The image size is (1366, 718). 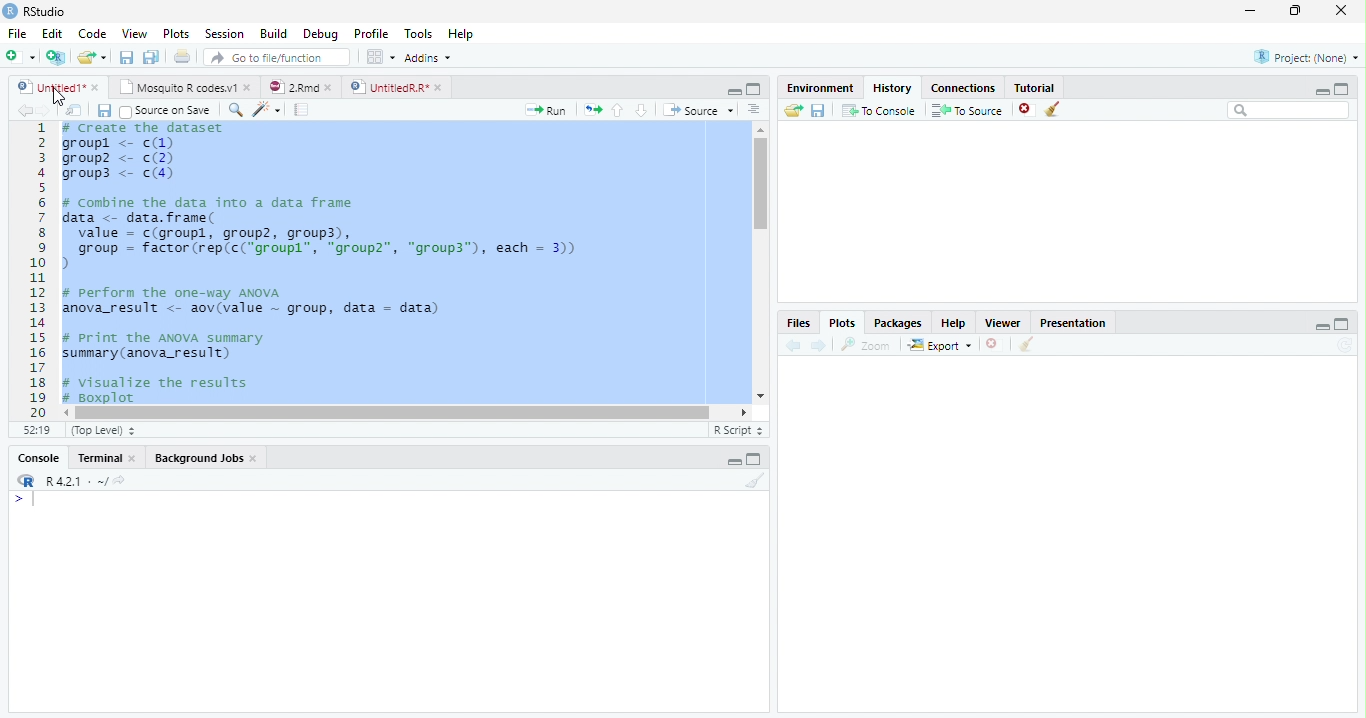 I want to click on Mosquito R codes, so click(x=184, y=87).